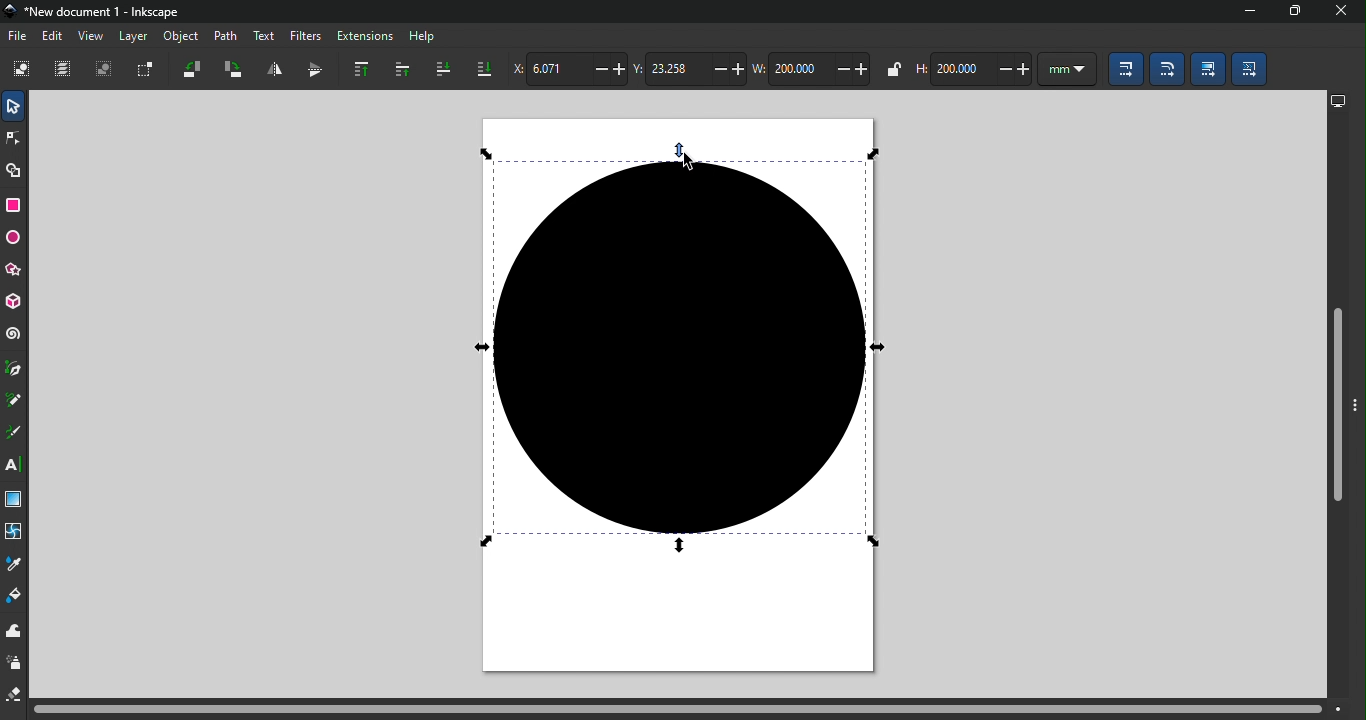  Describe the element at coordinates (135, 36) in the screenshot. I see `Layer` at that location.